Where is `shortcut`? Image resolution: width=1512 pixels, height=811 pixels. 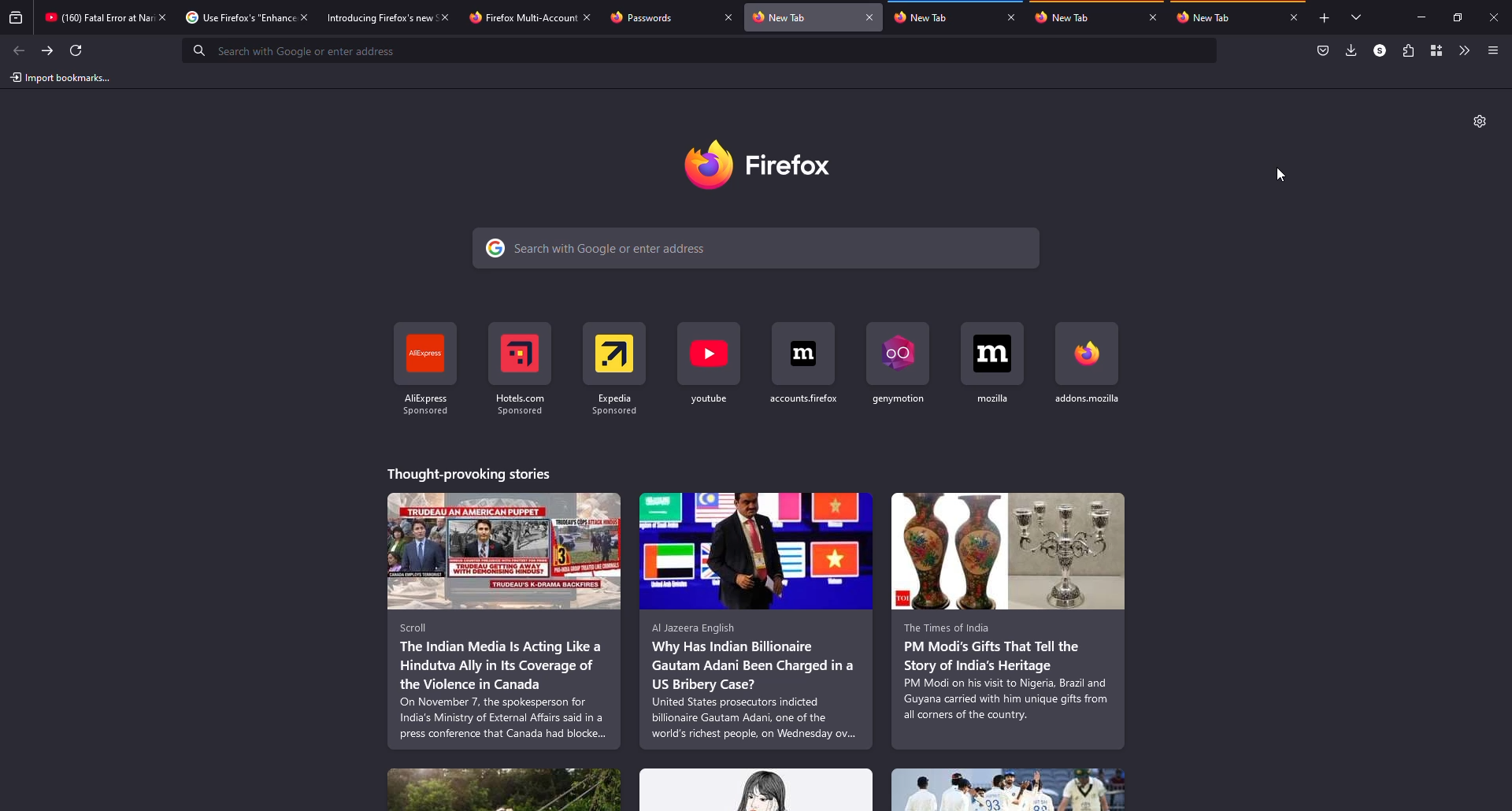 shortcut is located at coordinates (806, 363).